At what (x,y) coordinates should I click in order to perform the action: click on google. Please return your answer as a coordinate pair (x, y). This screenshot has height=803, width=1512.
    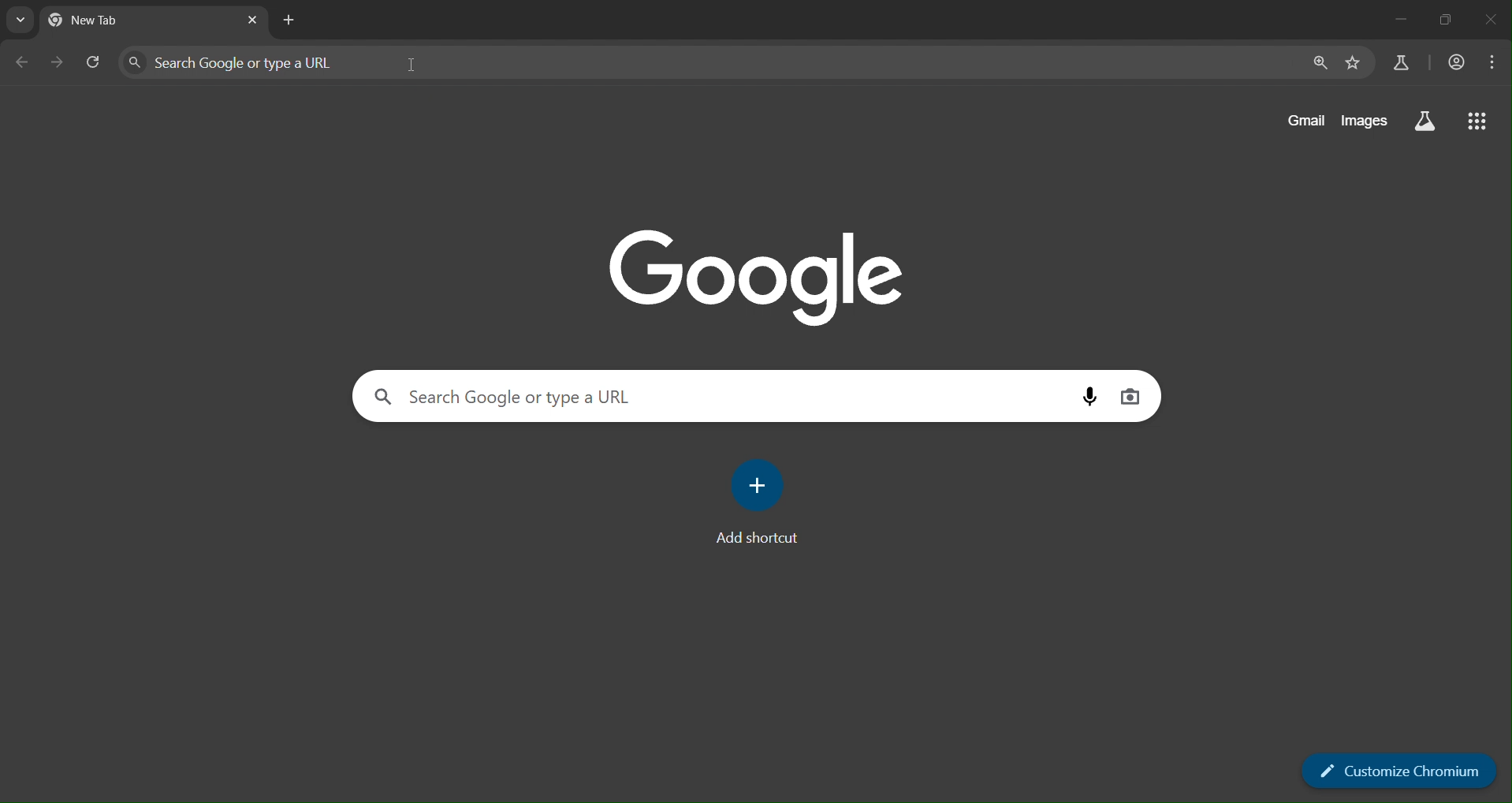
    Looking at the image, I should click on (754, 279).